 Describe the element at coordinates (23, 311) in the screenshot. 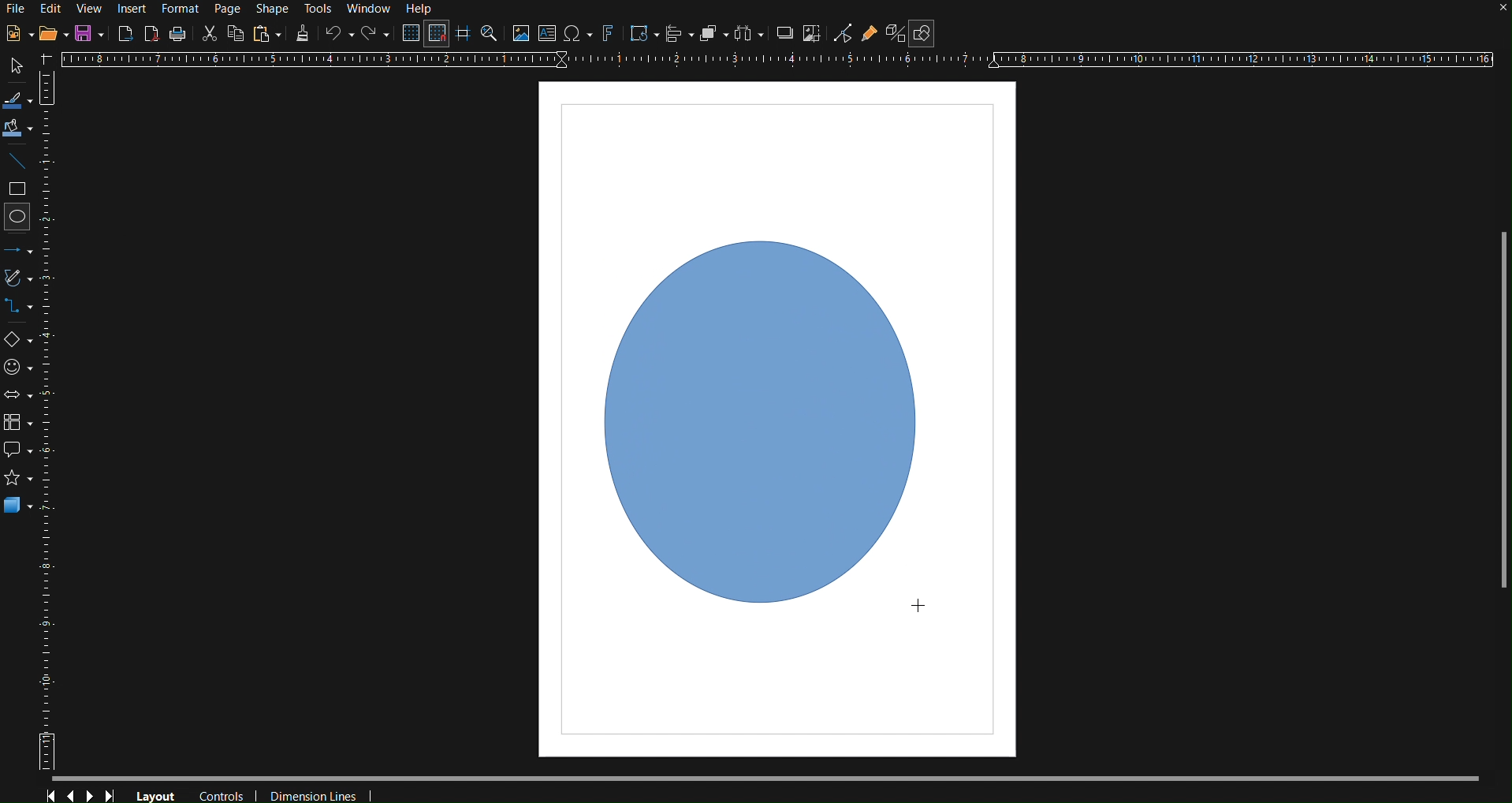

I see `Connectors` at that location.